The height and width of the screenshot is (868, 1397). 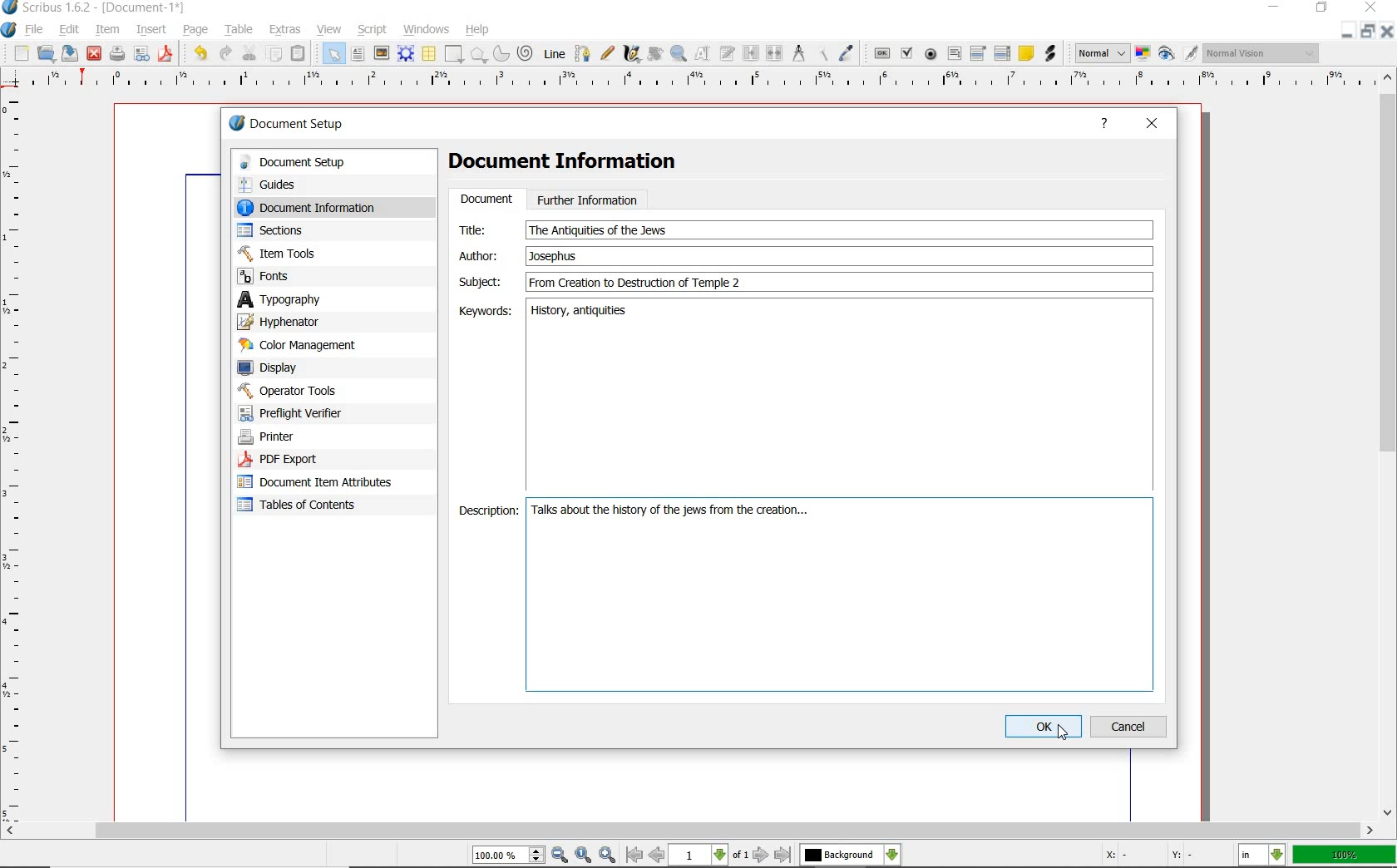 I want to click on author:, so click(x=481, y=255).